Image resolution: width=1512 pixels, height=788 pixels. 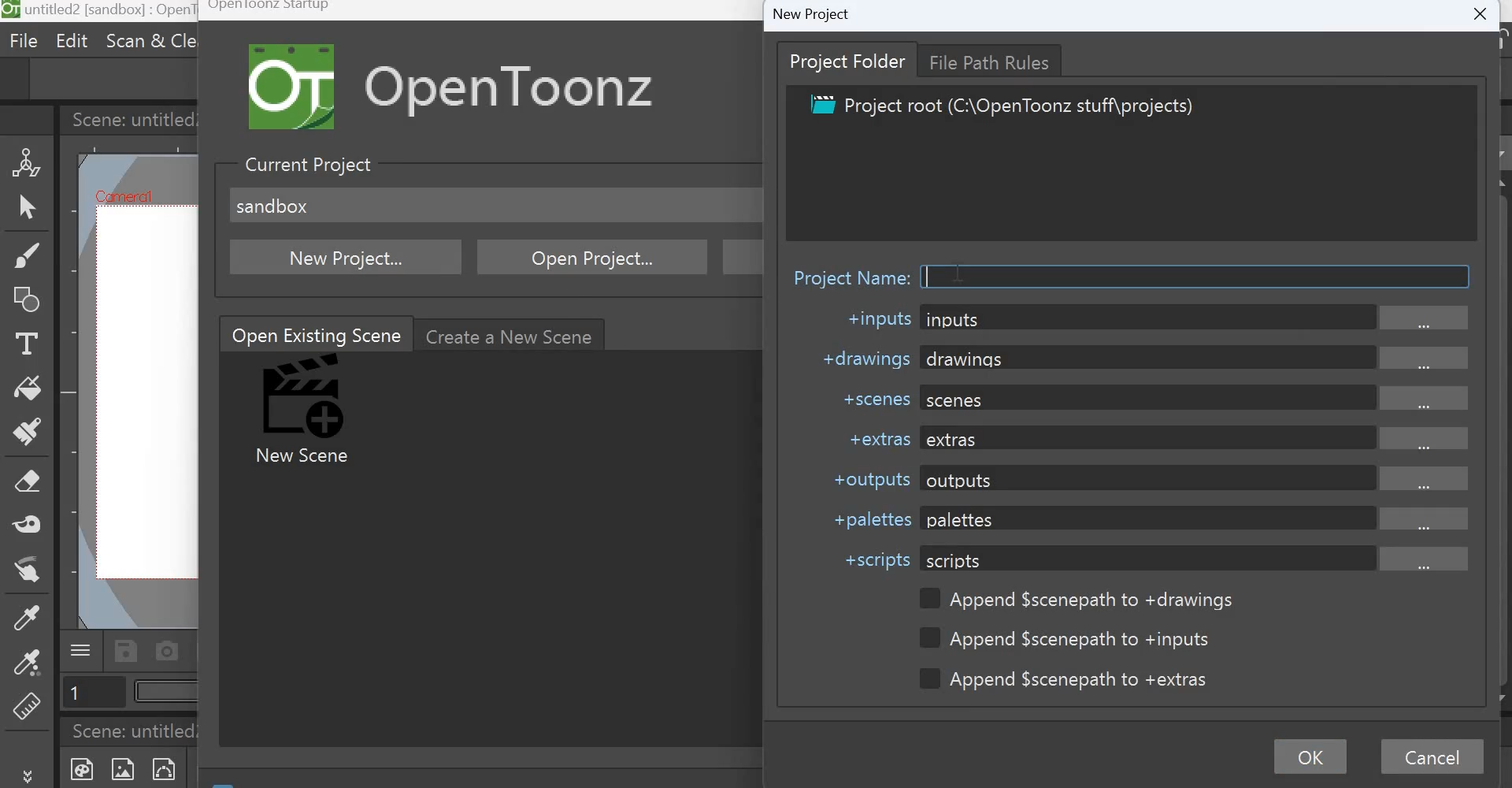 I want to click on scripts, so click(x=1195, y=558).